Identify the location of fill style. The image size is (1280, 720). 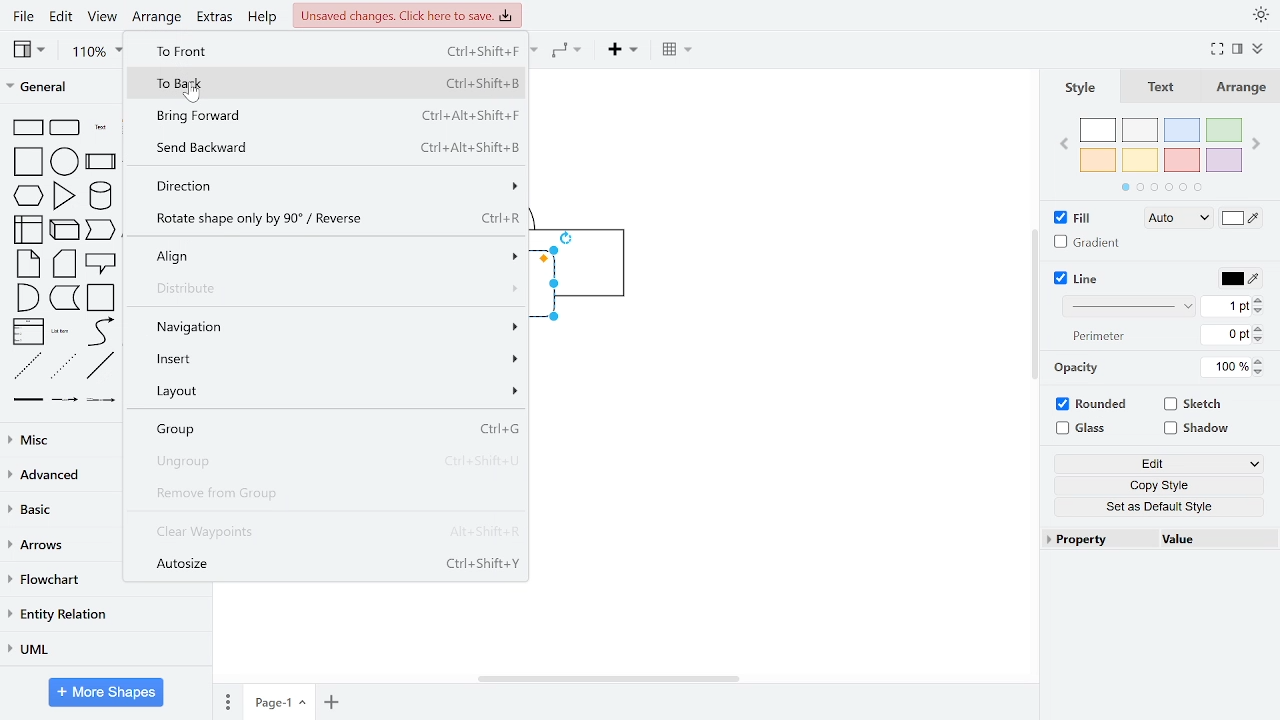
(1178, 219).